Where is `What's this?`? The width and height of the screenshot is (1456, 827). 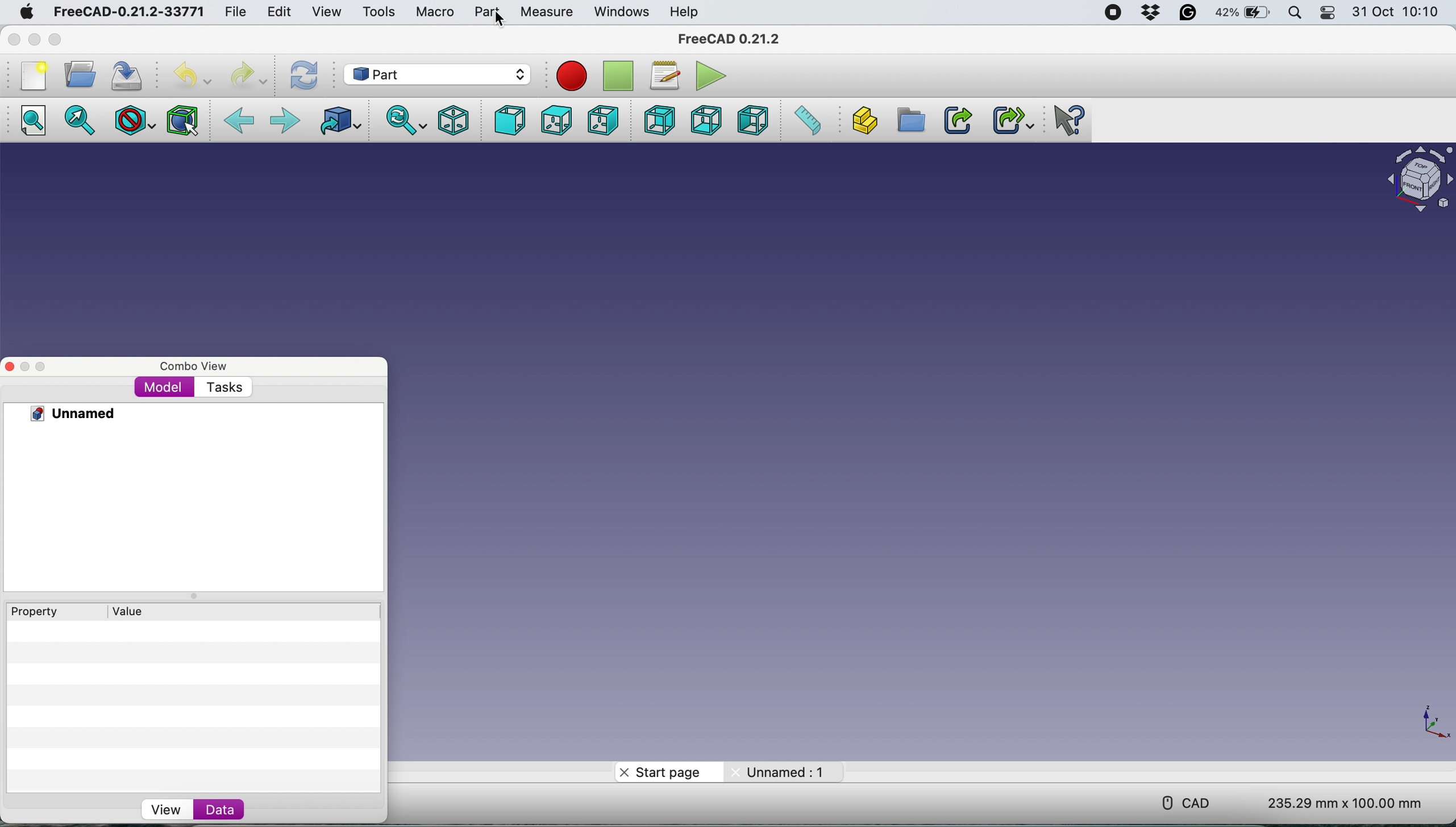
What's this? is located at coordinates (1067, 120).